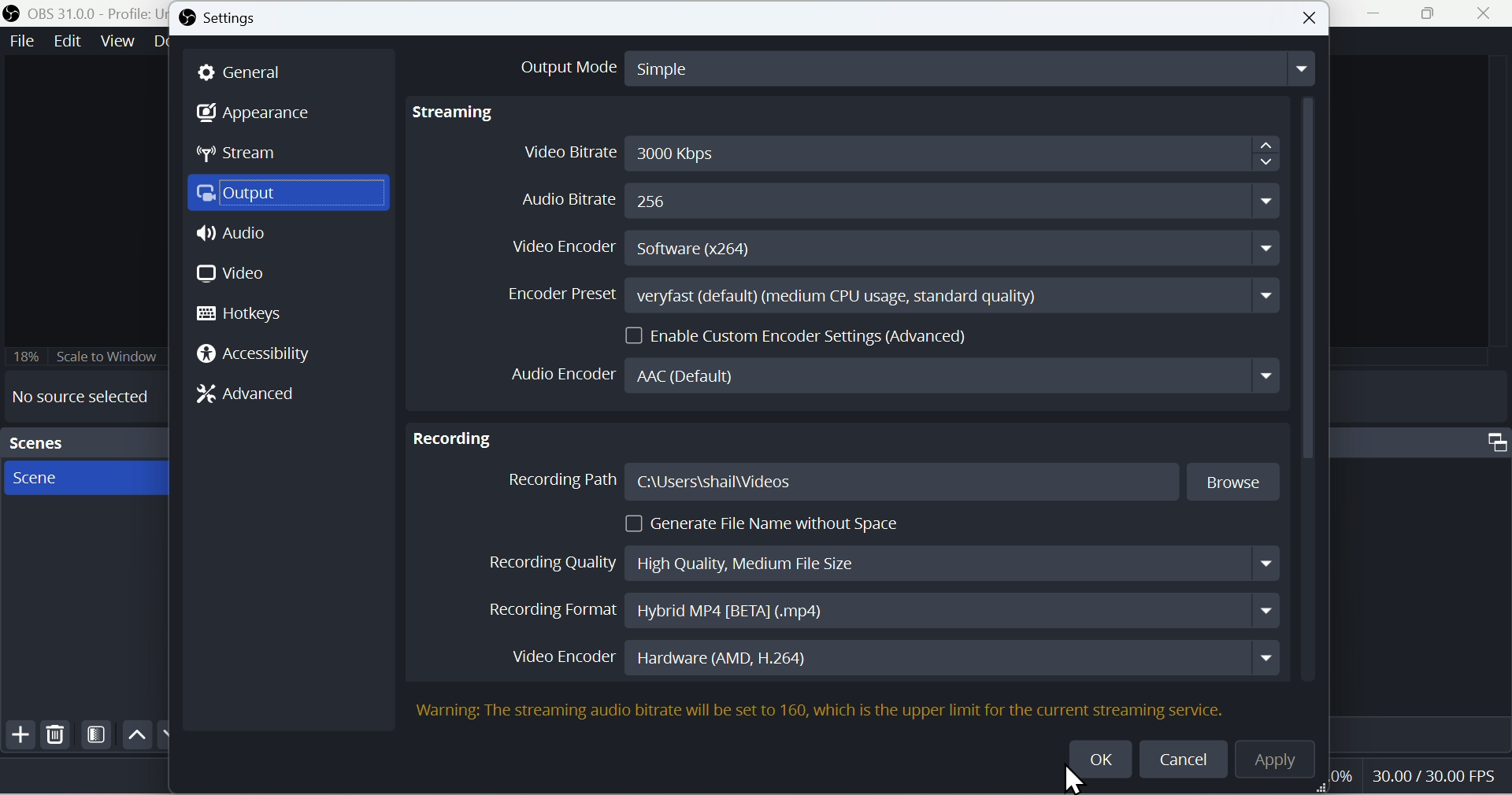 This screenshot has height=795, width=1512. I want to click on View, so click(117, 42).